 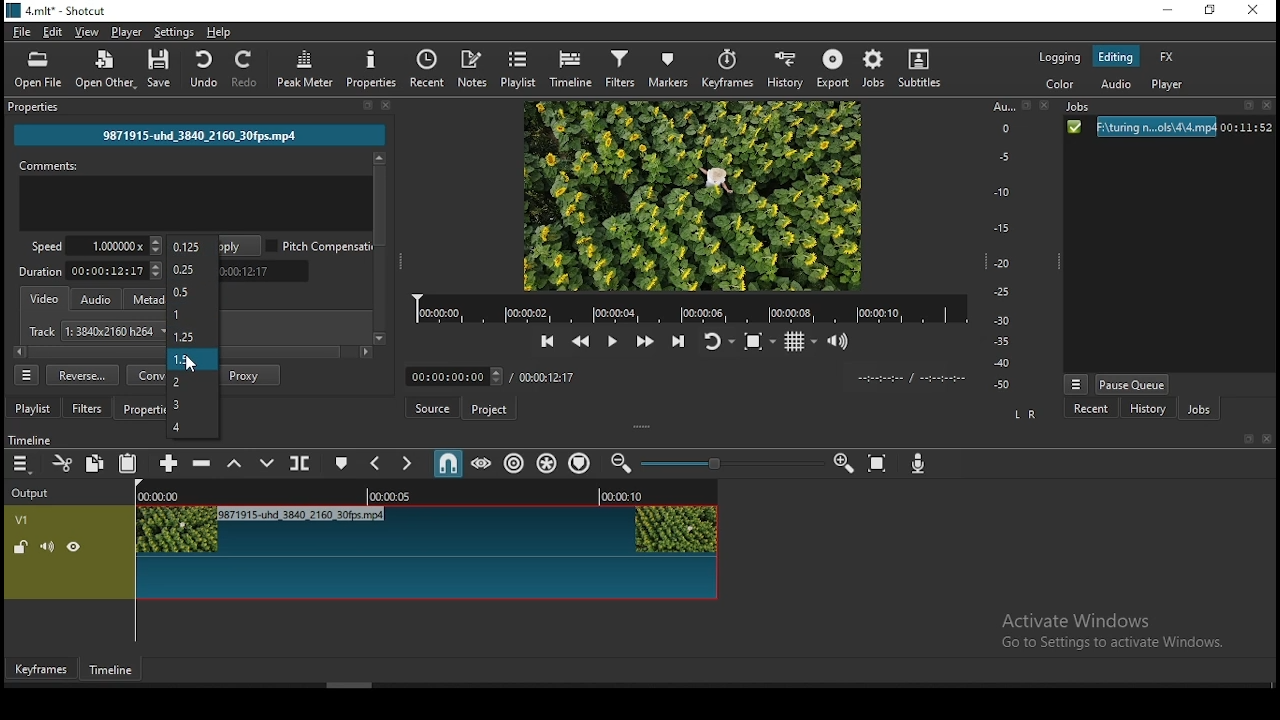 I want to click on 00:00:00, so click(x=166, y=494).